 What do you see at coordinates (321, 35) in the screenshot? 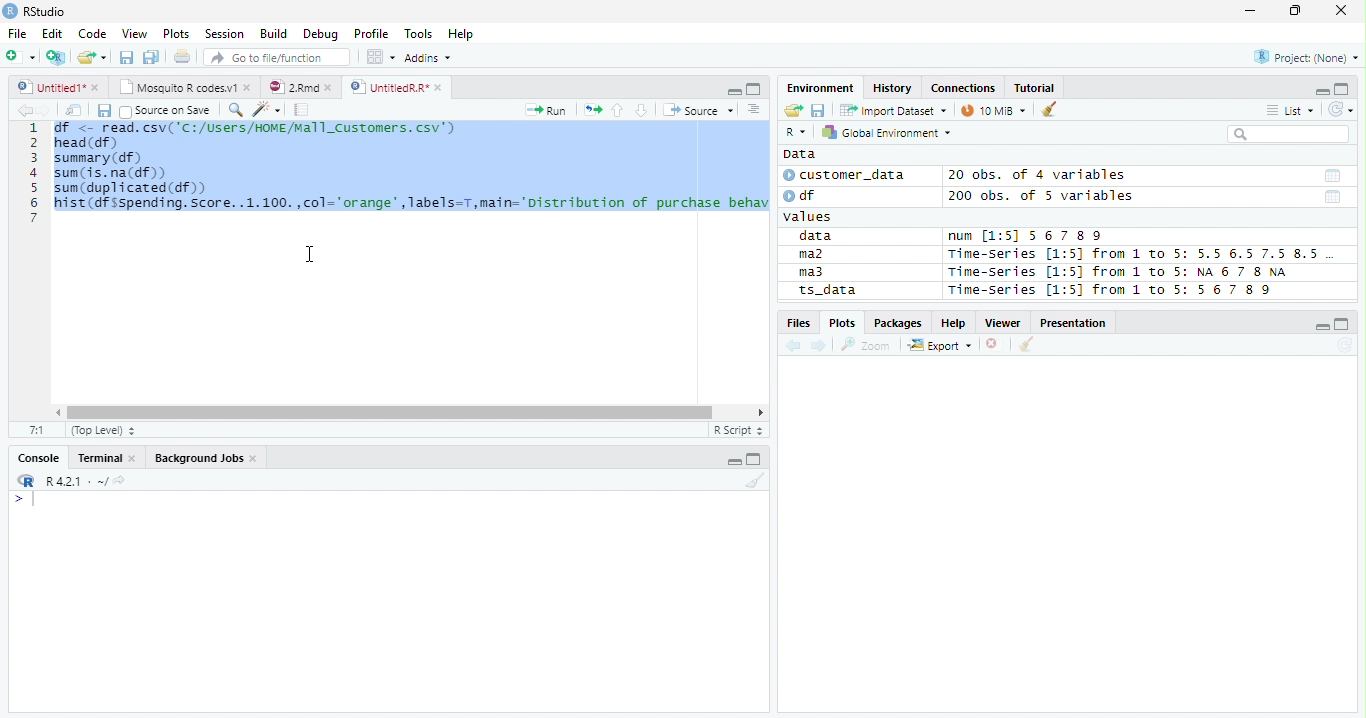
I see `Debug` at bounding box center [321, 35].